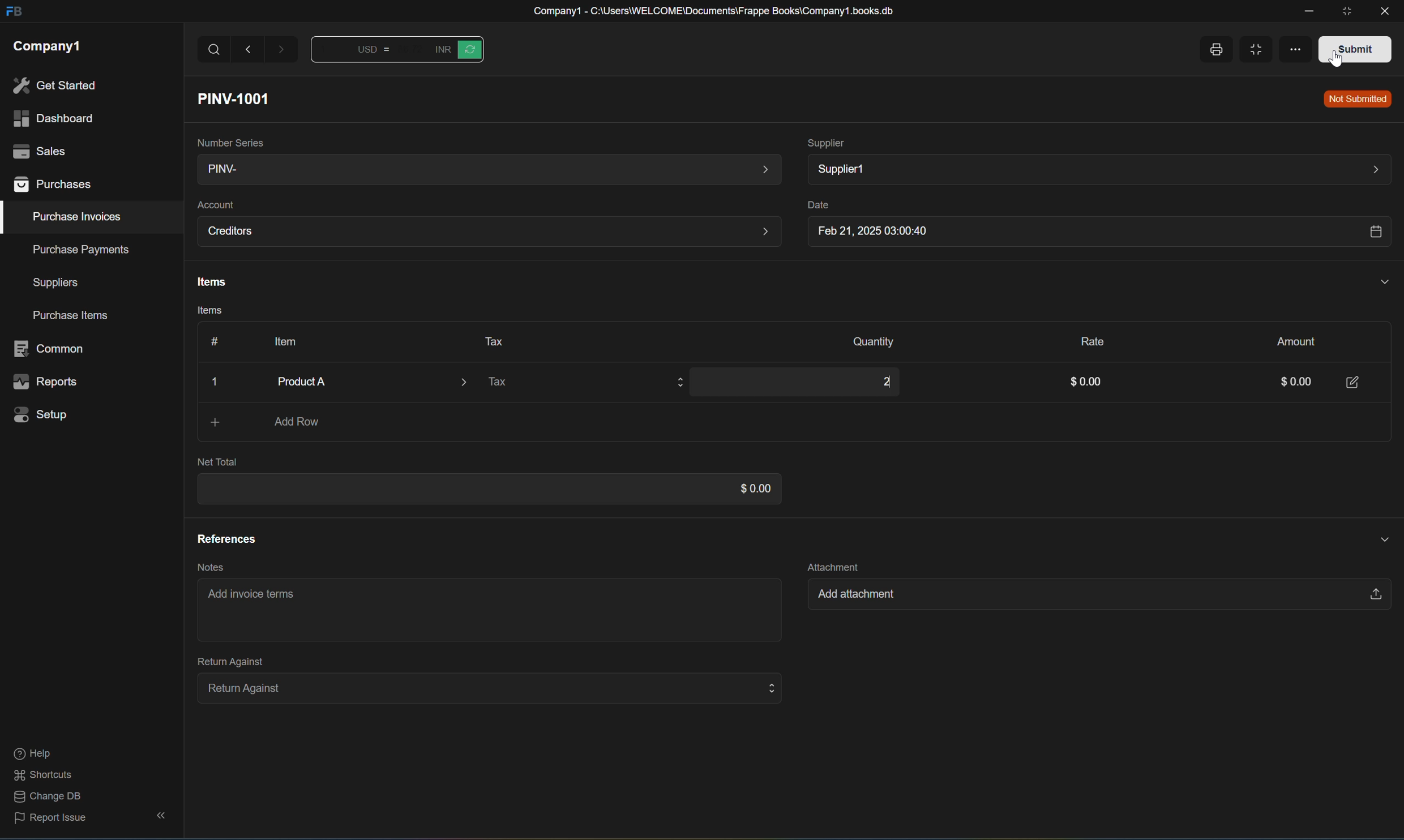 The width and height of the screenshot is (1404, 840). I want to click on change DB, so click(44, 798).